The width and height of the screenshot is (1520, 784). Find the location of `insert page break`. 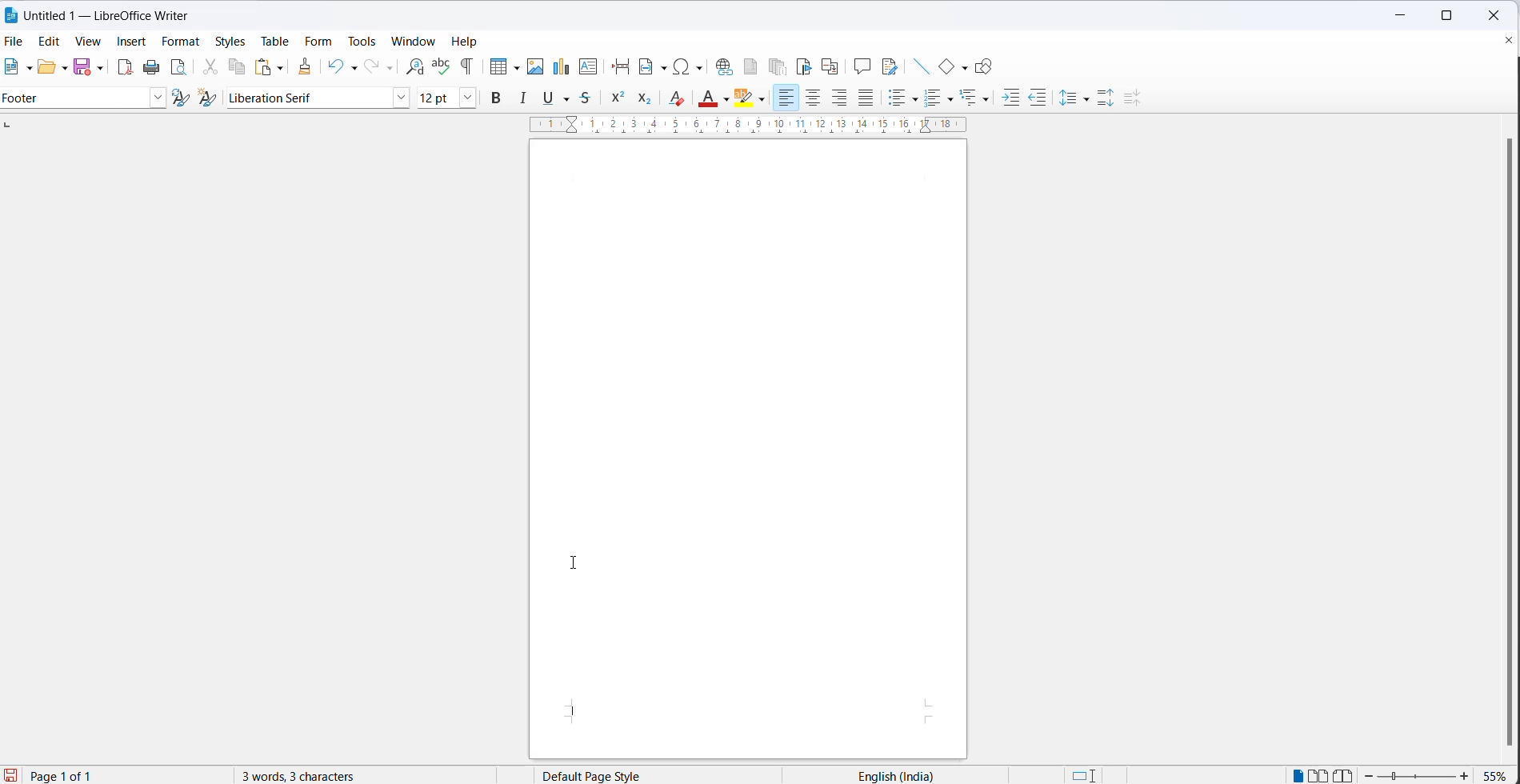

insert page break is located at coordinates (620, 67).